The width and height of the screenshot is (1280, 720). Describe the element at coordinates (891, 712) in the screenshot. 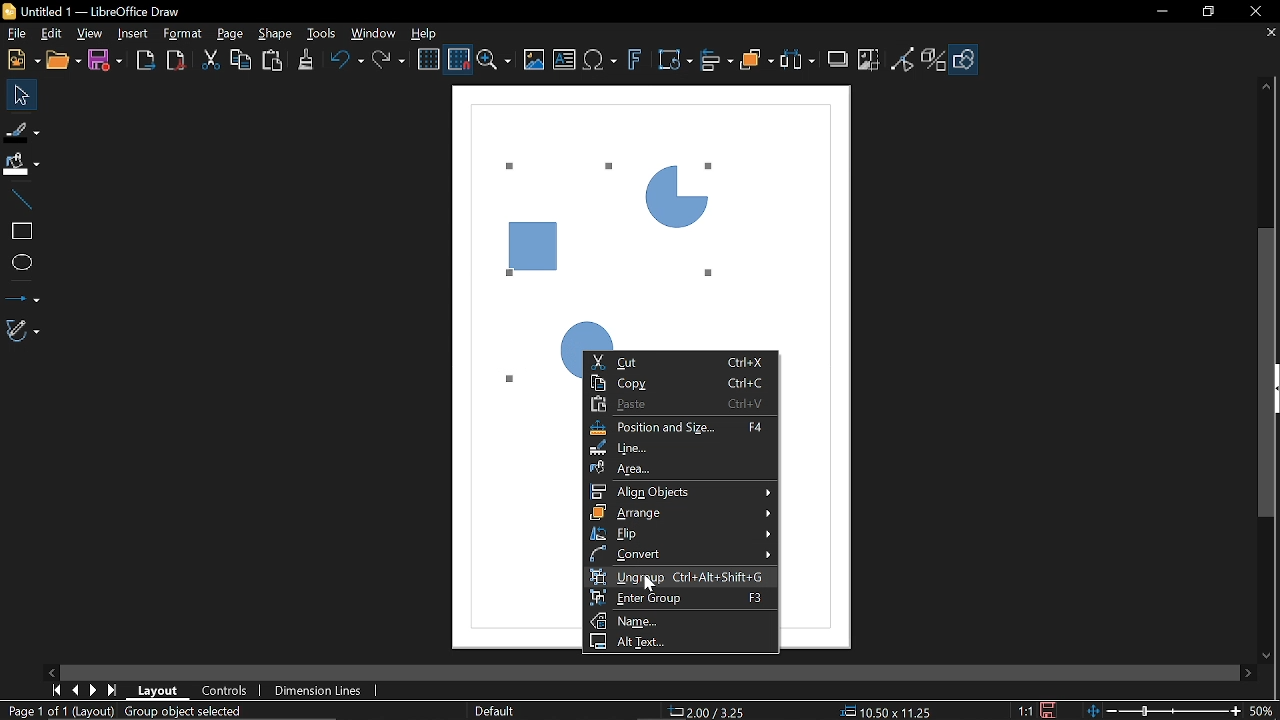

I see `Size` at that location.